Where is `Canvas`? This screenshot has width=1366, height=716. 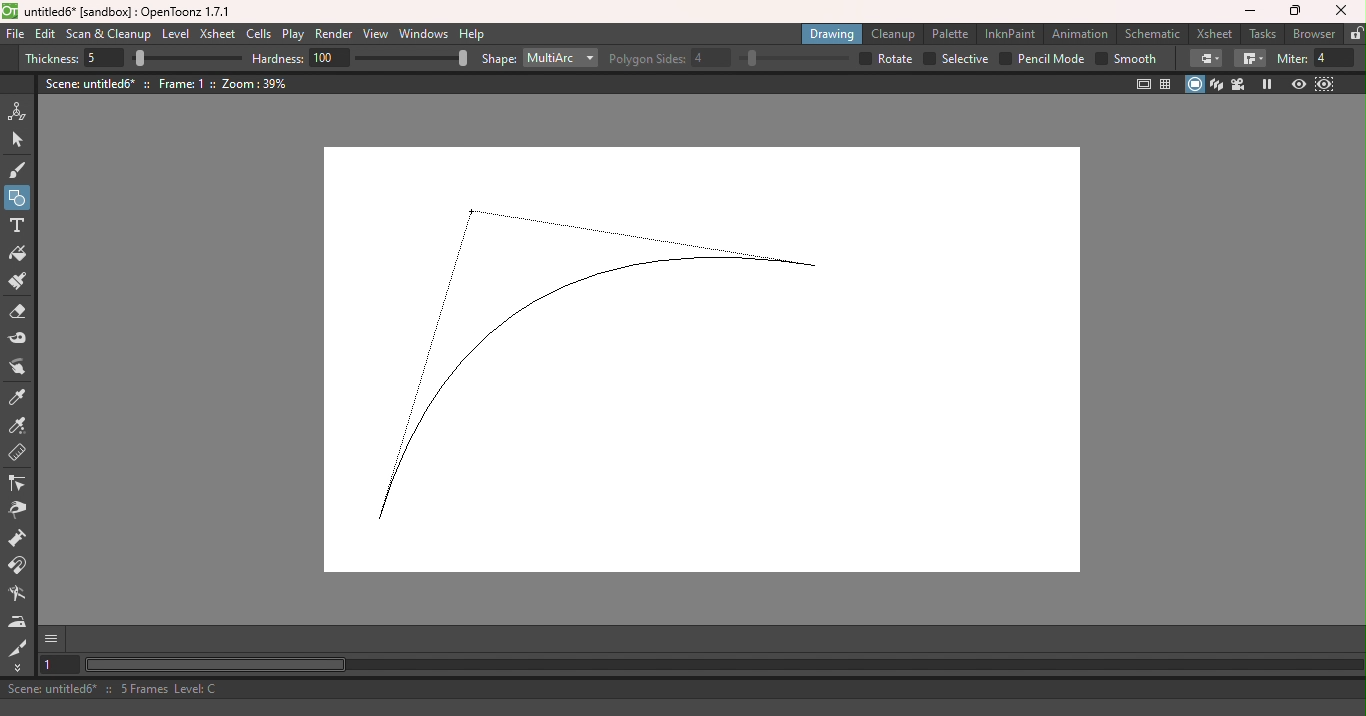 Canvas is located at coordinates (713, 364).